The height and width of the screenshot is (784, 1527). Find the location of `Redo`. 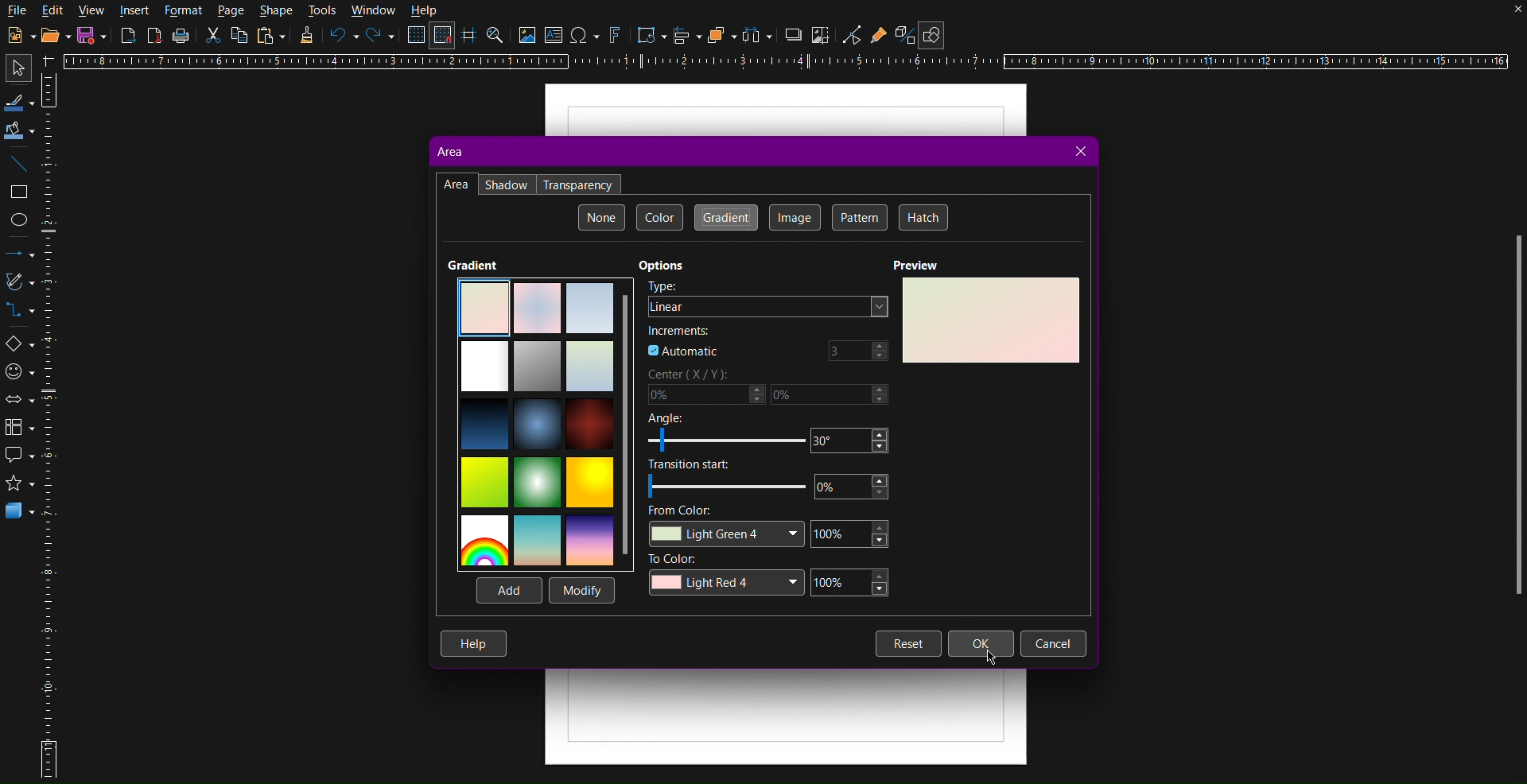

Redo is located at coordinates (380, 37).